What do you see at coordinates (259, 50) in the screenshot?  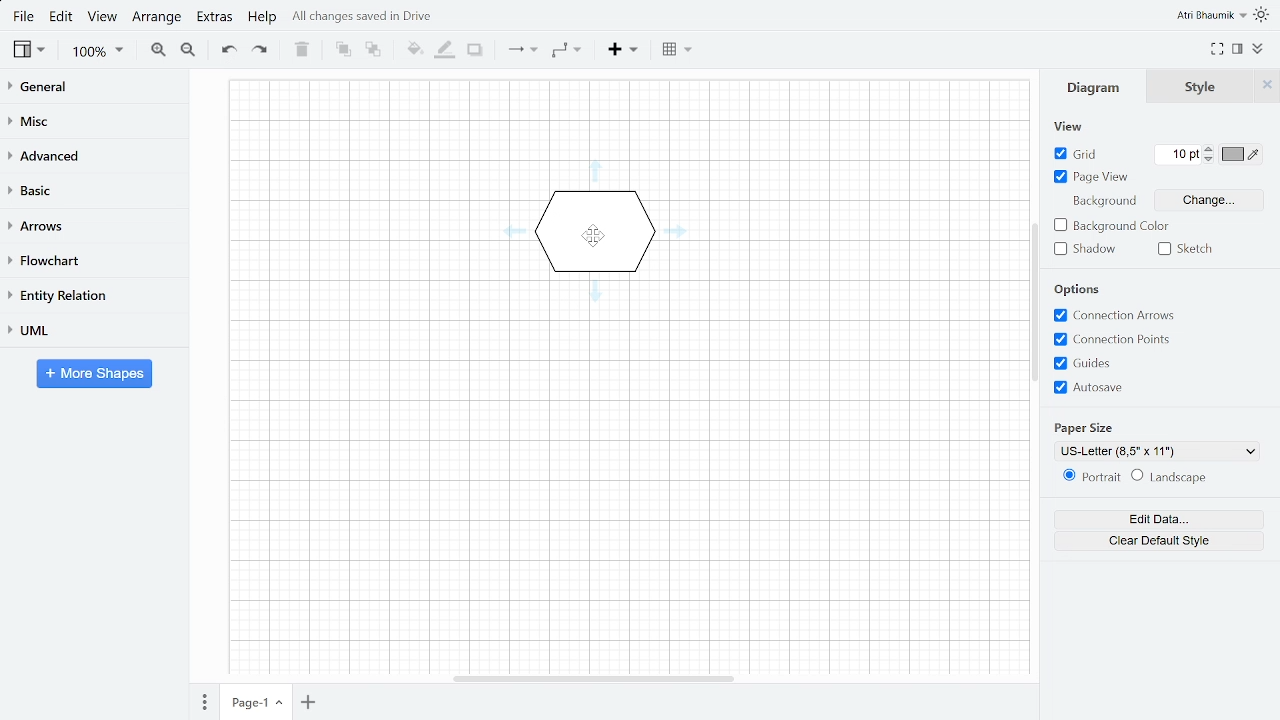 I see `Redo` at bounding box center [259, 50].